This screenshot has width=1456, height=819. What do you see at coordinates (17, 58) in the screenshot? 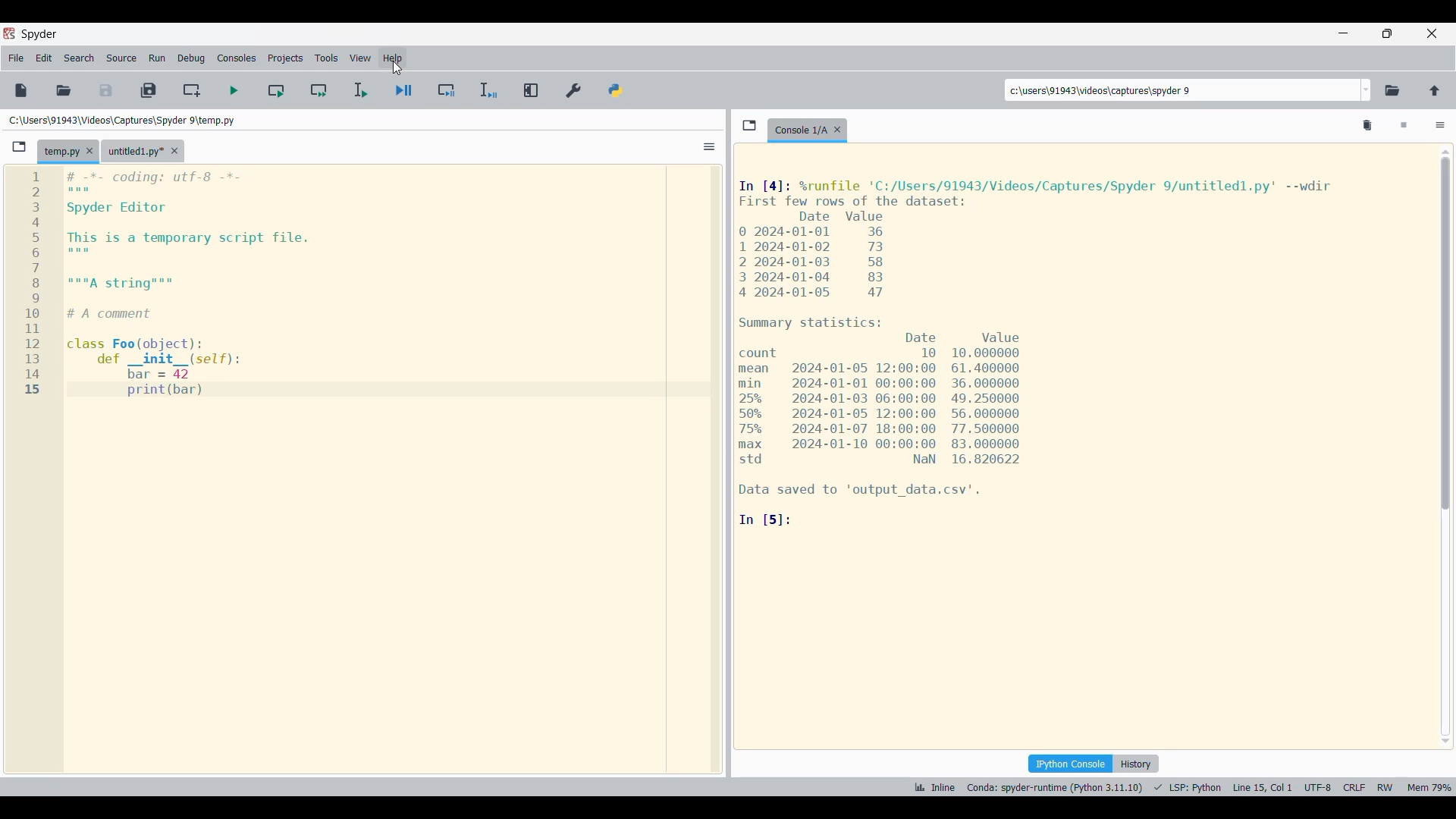
I see `File menu` at bounding box center [17, 58].